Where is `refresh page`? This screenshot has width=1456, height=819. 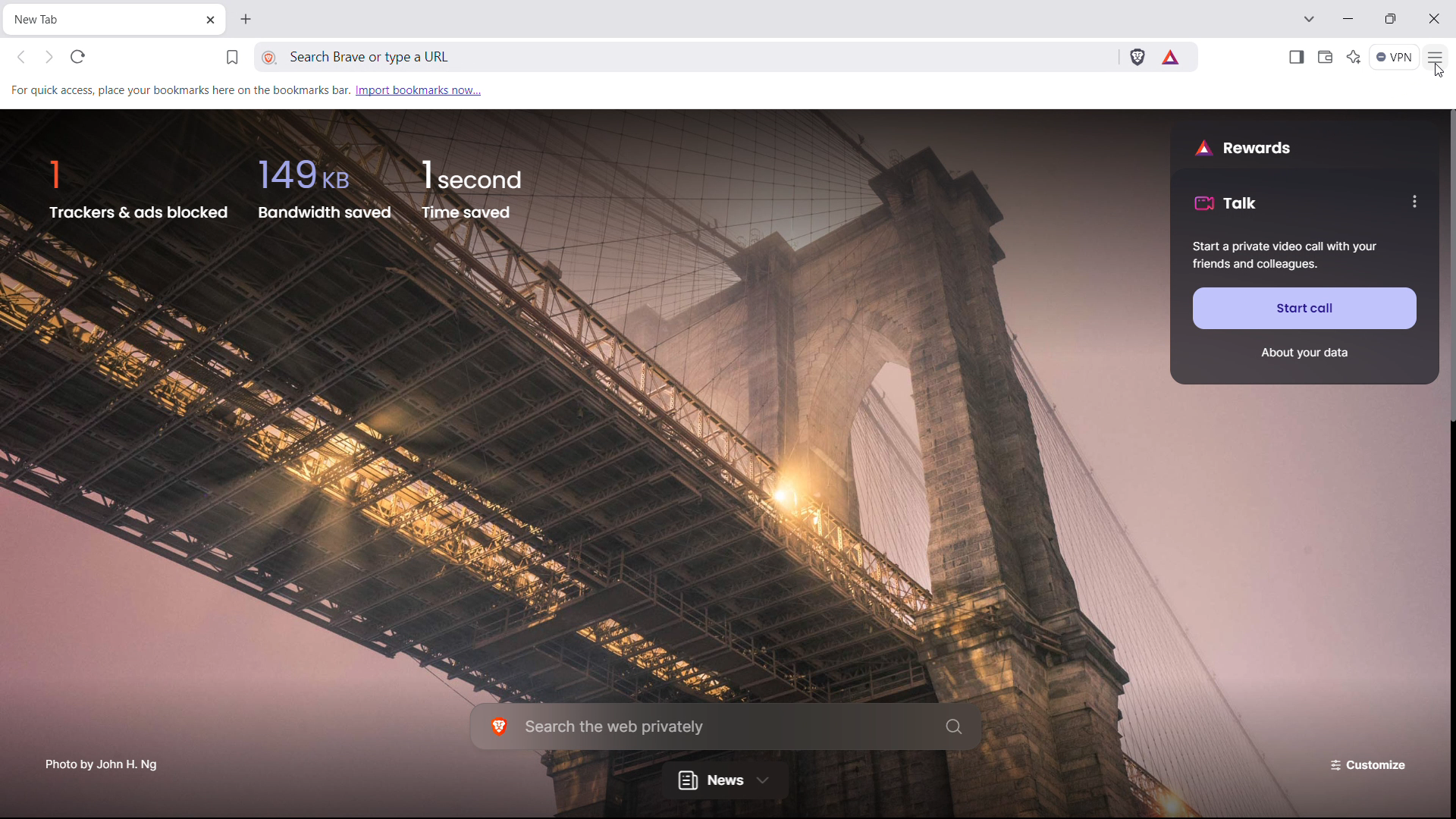 refresh page is located at coordinates (77, 57).